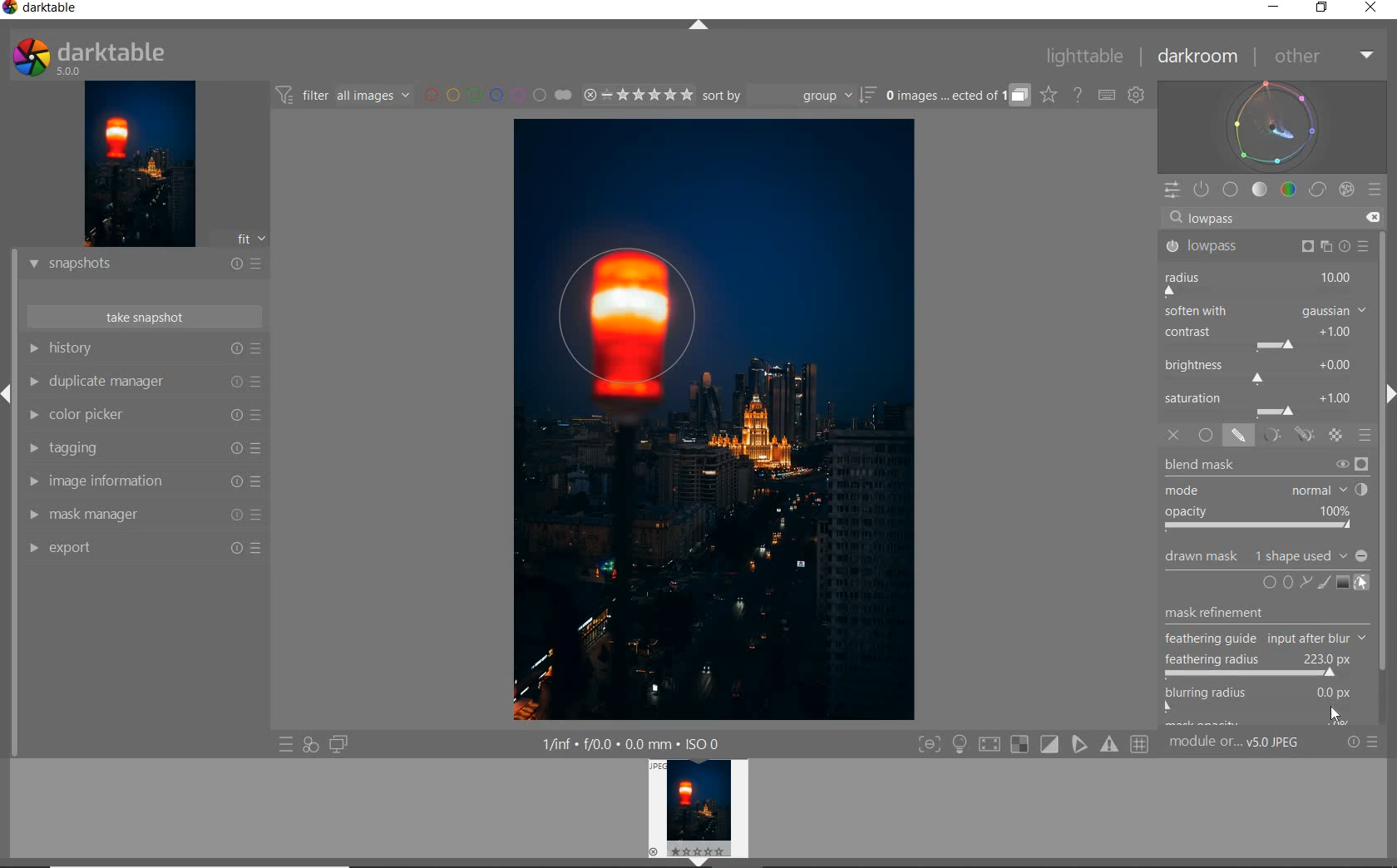  I want to click on DELETE, so click(1375, 219).